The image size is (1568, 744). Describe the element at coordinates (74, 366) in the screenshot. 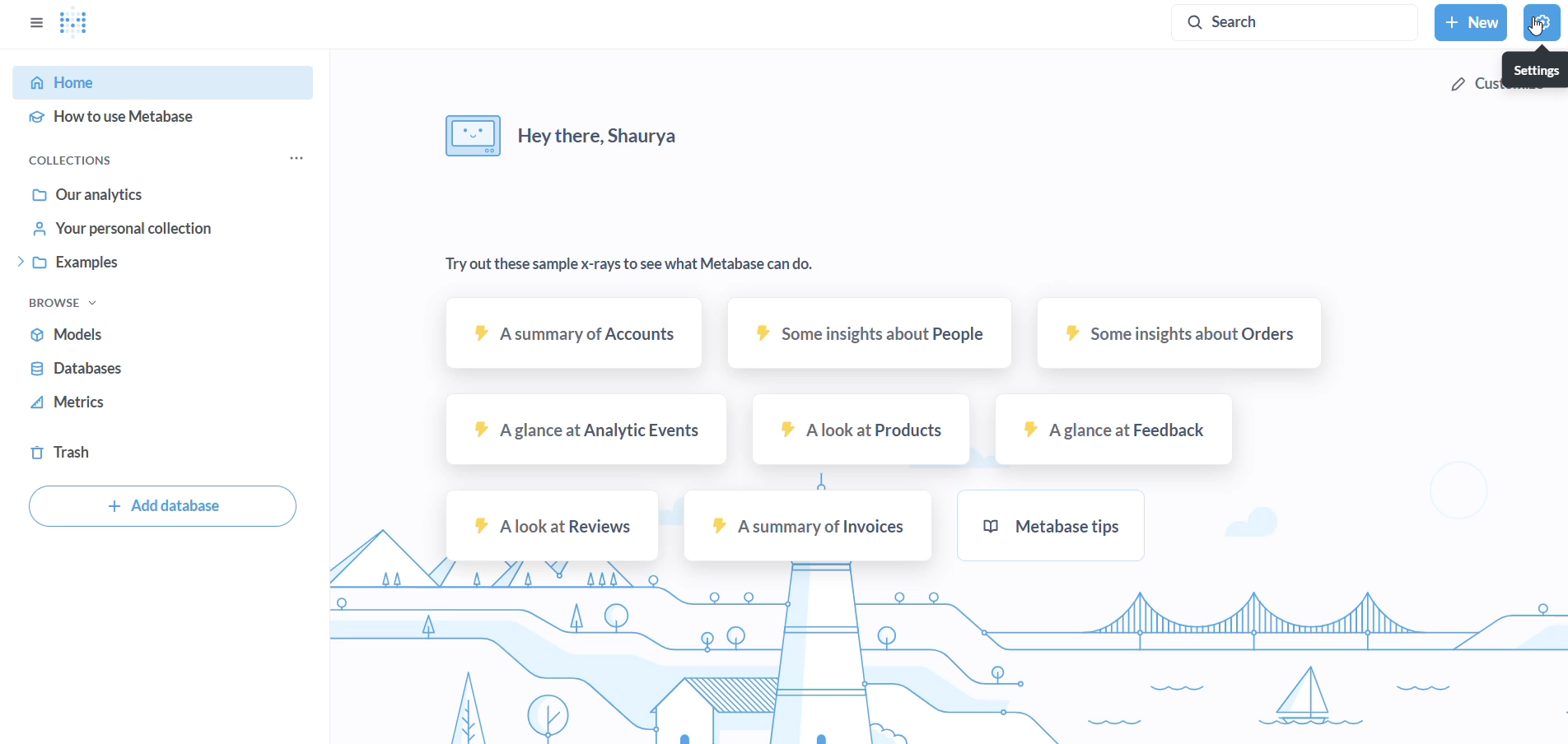

I see `E Databases` at that location.